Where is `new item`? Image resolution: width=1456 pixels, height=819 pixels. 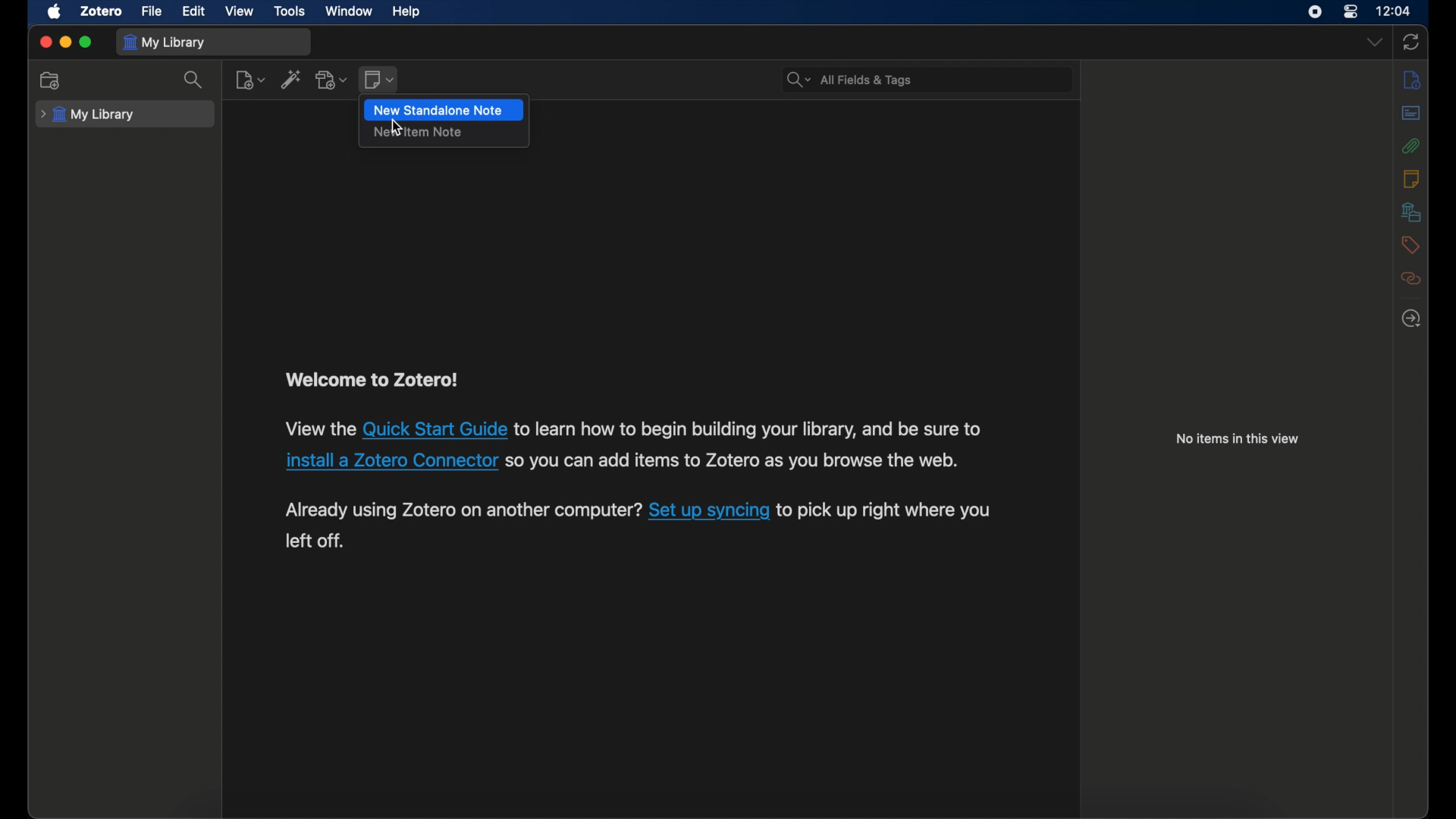
new item is located at coordinates (250, 80).